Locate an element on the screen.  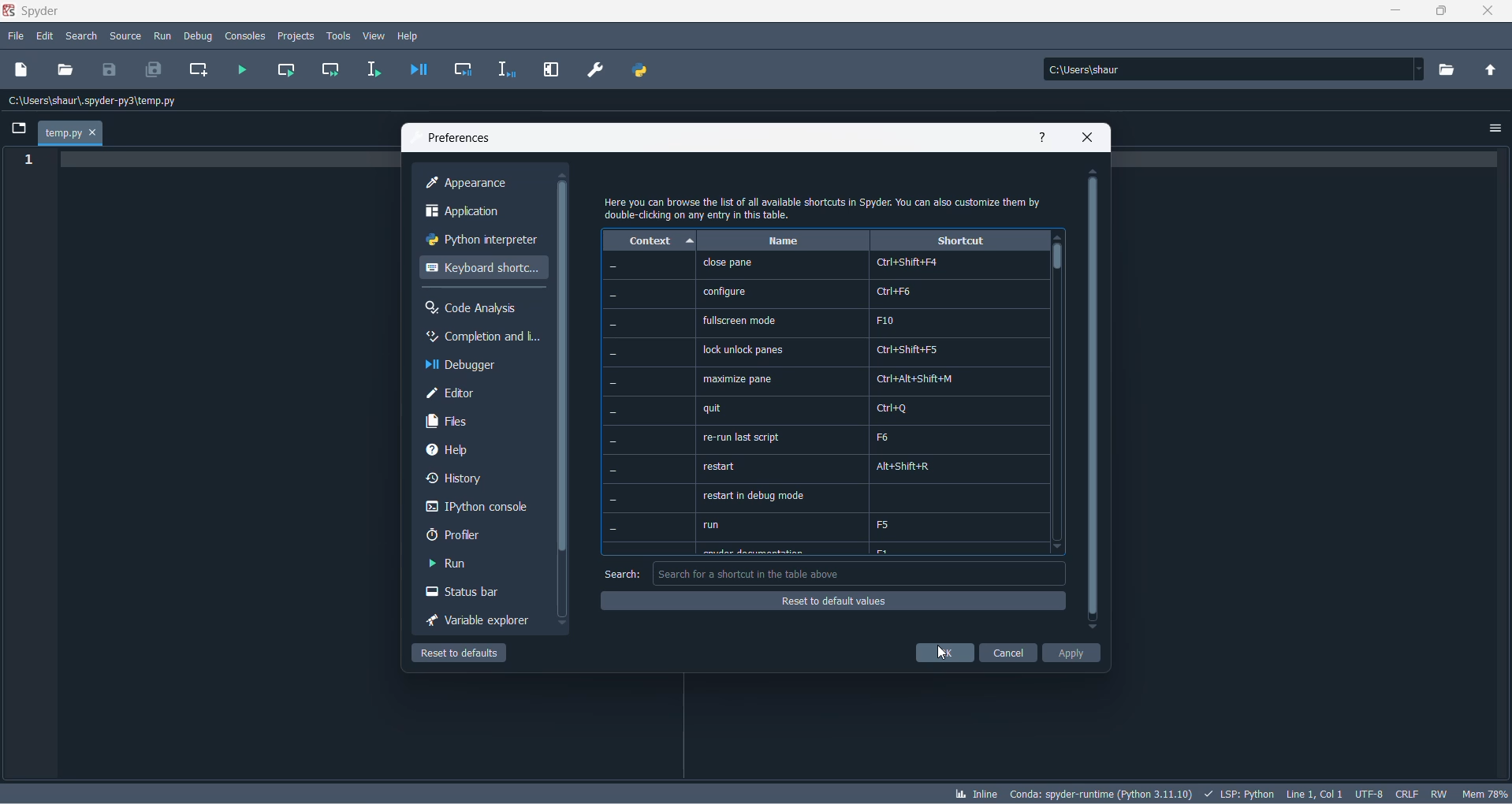
Ctri+F6 is located at coordinates (896, 290).